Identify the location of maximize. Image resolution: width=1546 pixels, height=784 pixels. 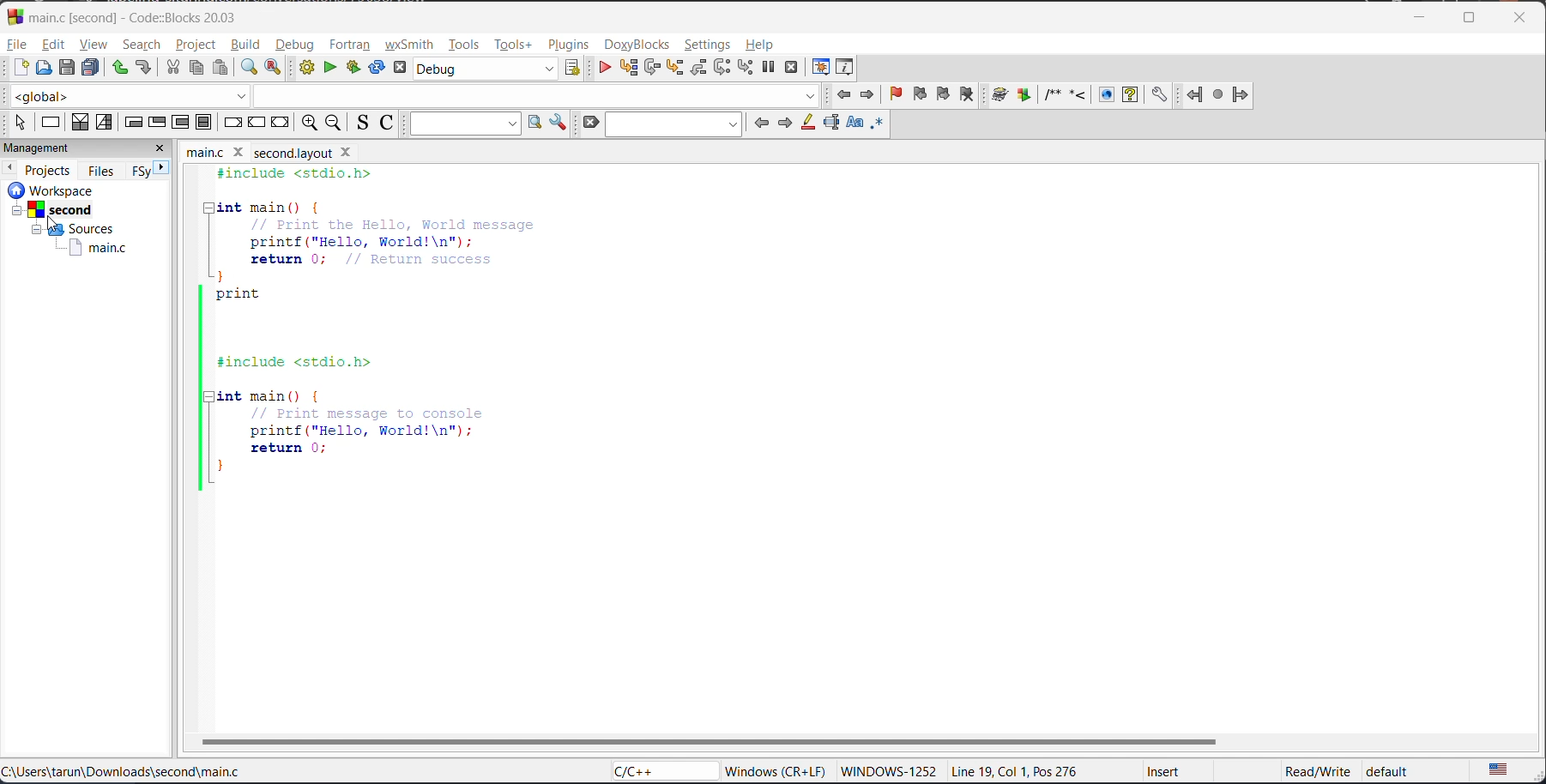
(1470, 19).